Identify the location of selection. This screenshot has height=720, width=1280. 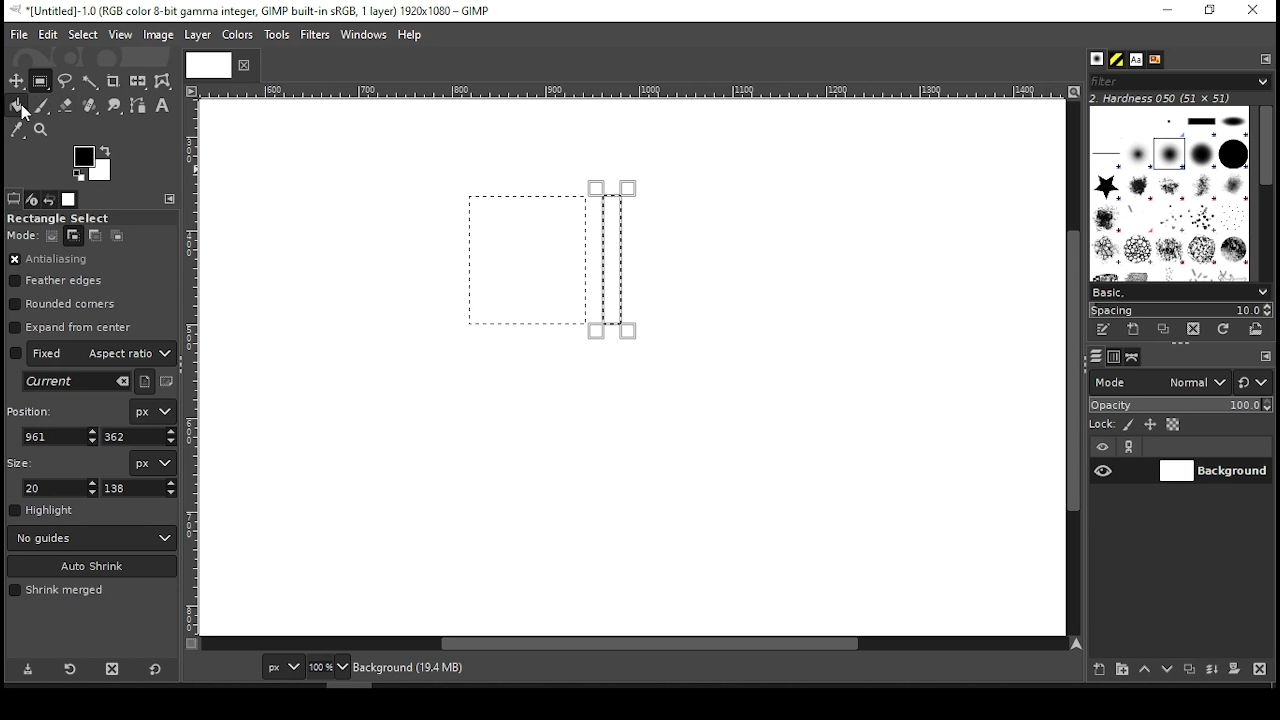
(611, 260).